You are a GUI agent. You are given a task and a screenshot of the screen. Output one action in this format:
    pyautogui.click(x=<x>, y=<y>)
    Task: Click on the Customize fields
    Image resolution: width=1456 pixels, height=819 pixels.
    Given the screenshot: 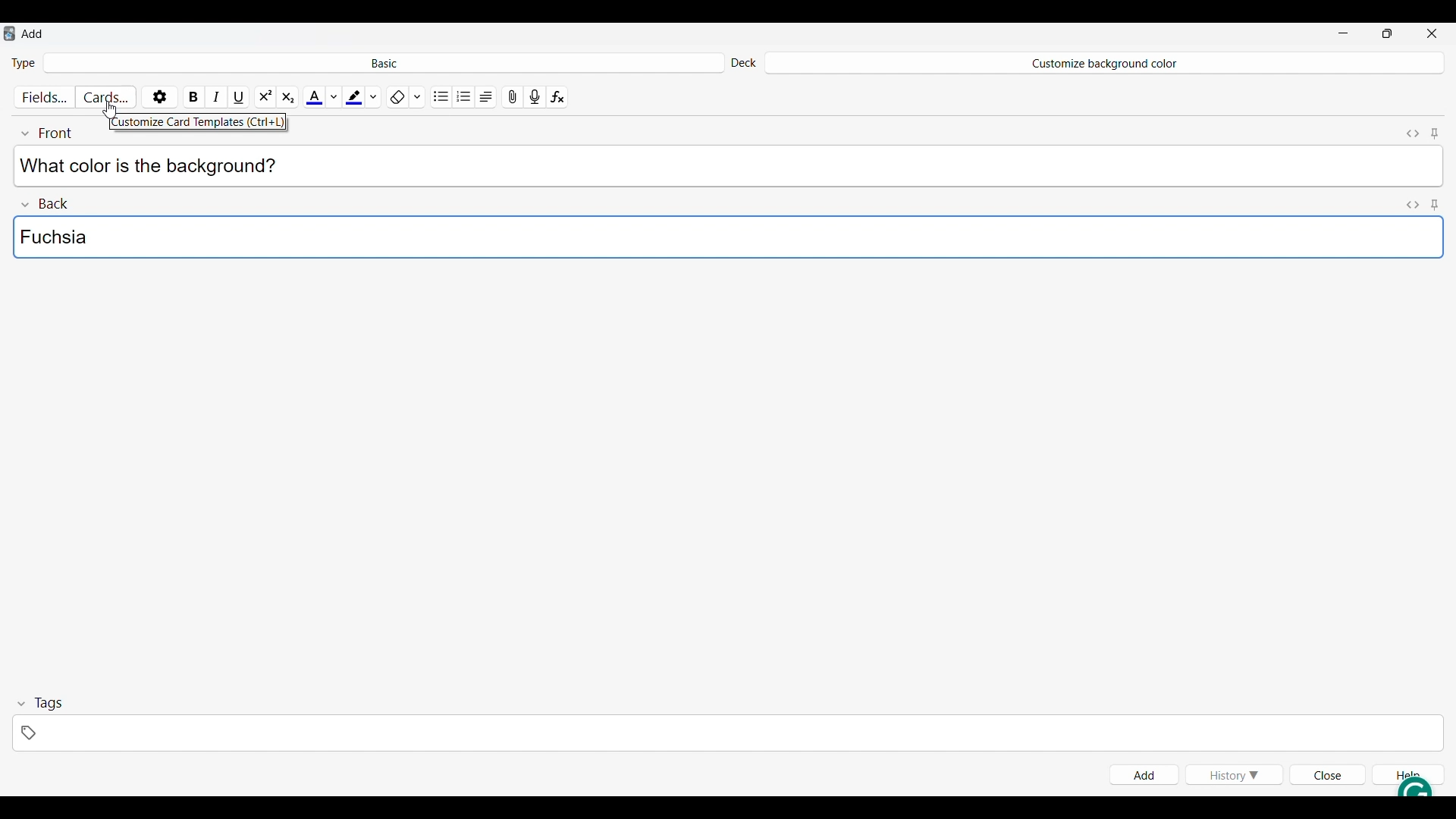 What is the action you would take?
    pyautogui.click(x=46, y=95)
    